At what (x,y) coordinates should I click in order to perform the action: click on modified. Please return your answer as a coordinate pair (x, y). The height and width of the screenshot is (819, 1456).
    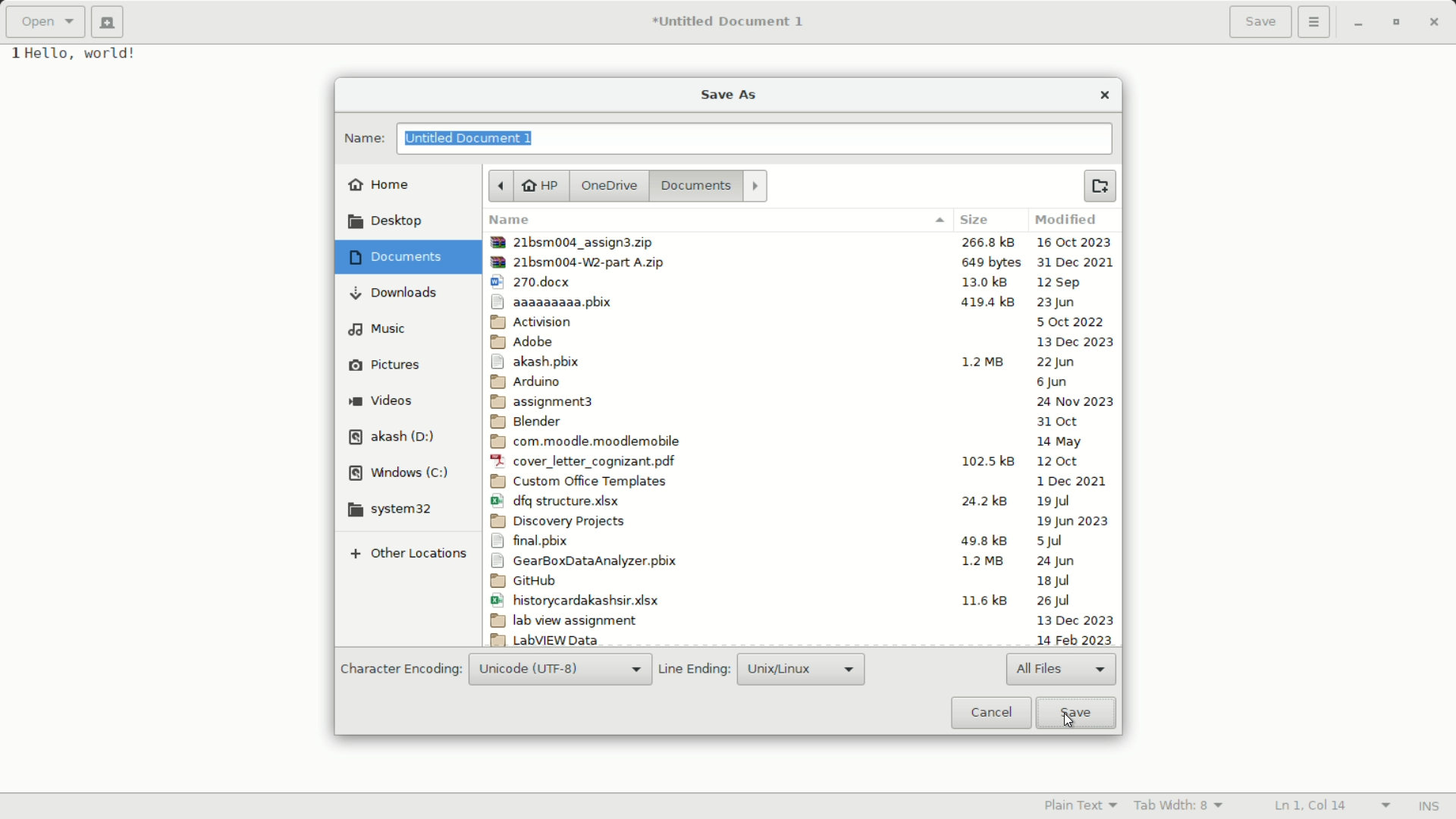
    Looking at the image, I should click on (1069, 221).